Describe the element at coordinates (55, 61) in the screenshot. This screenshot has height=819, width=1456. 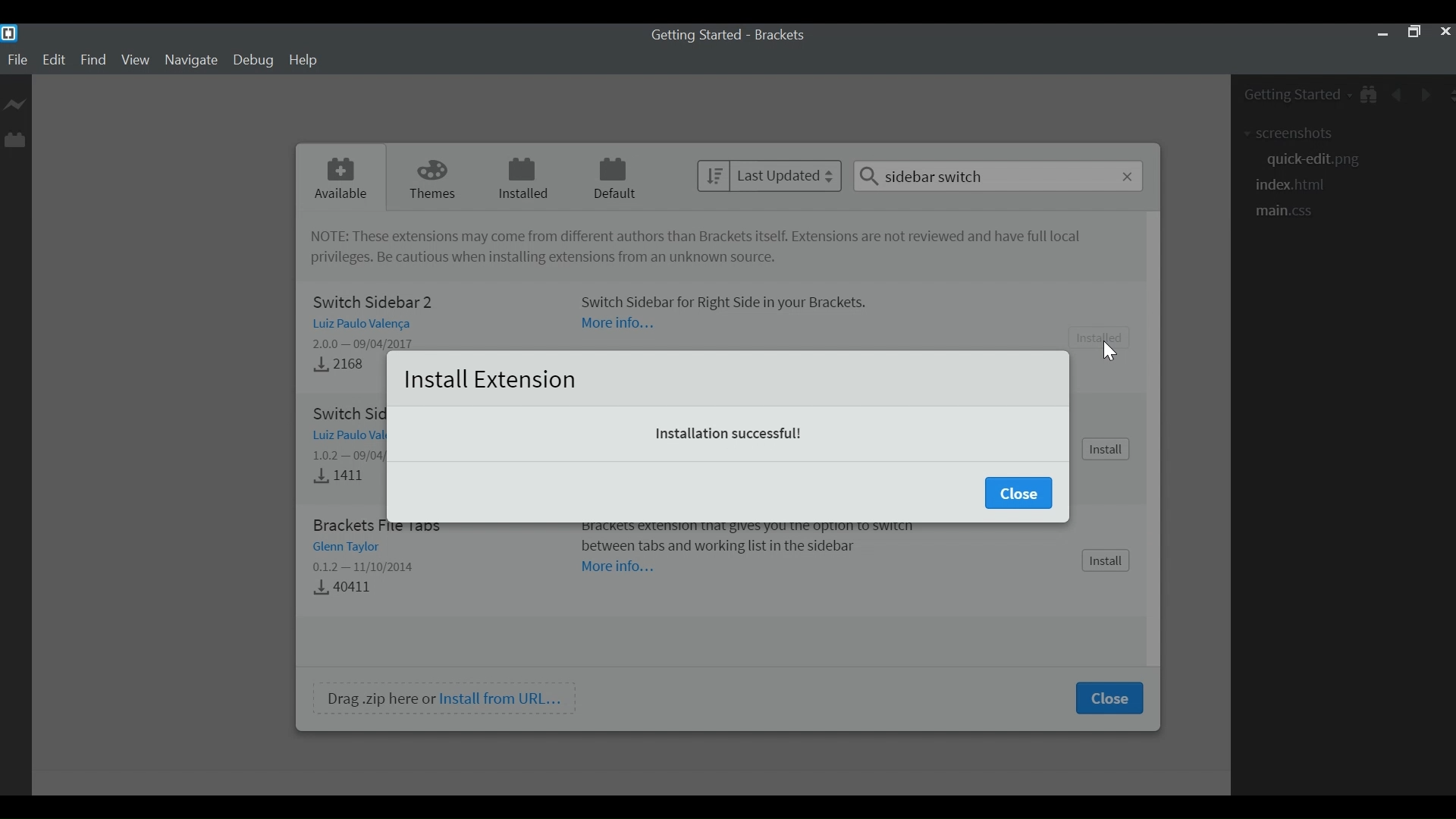
I see `Edit` at that location.